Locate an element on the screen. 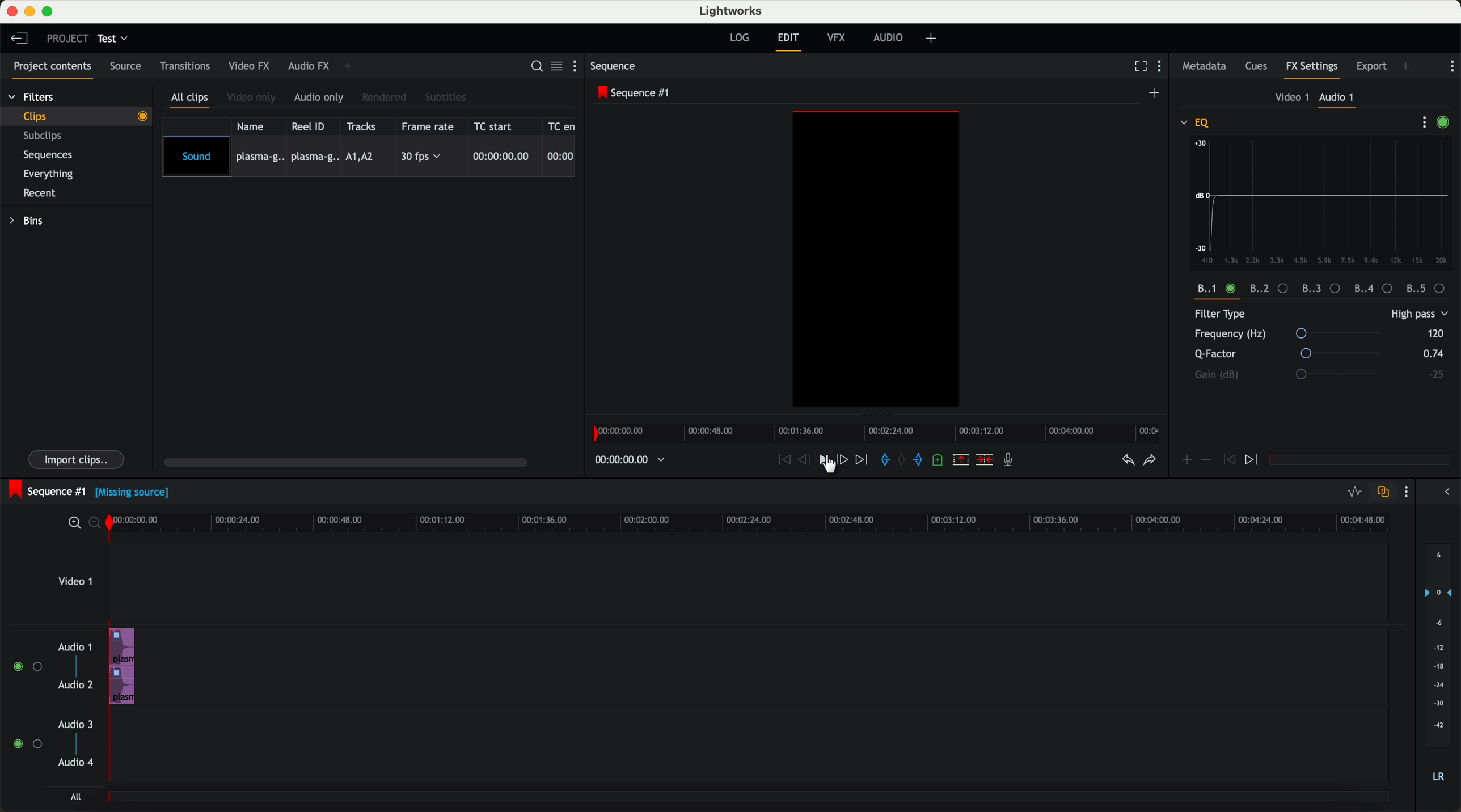 The width and height of the screenshot is (1461, 812). more options is located at coordinates (1419, 122).